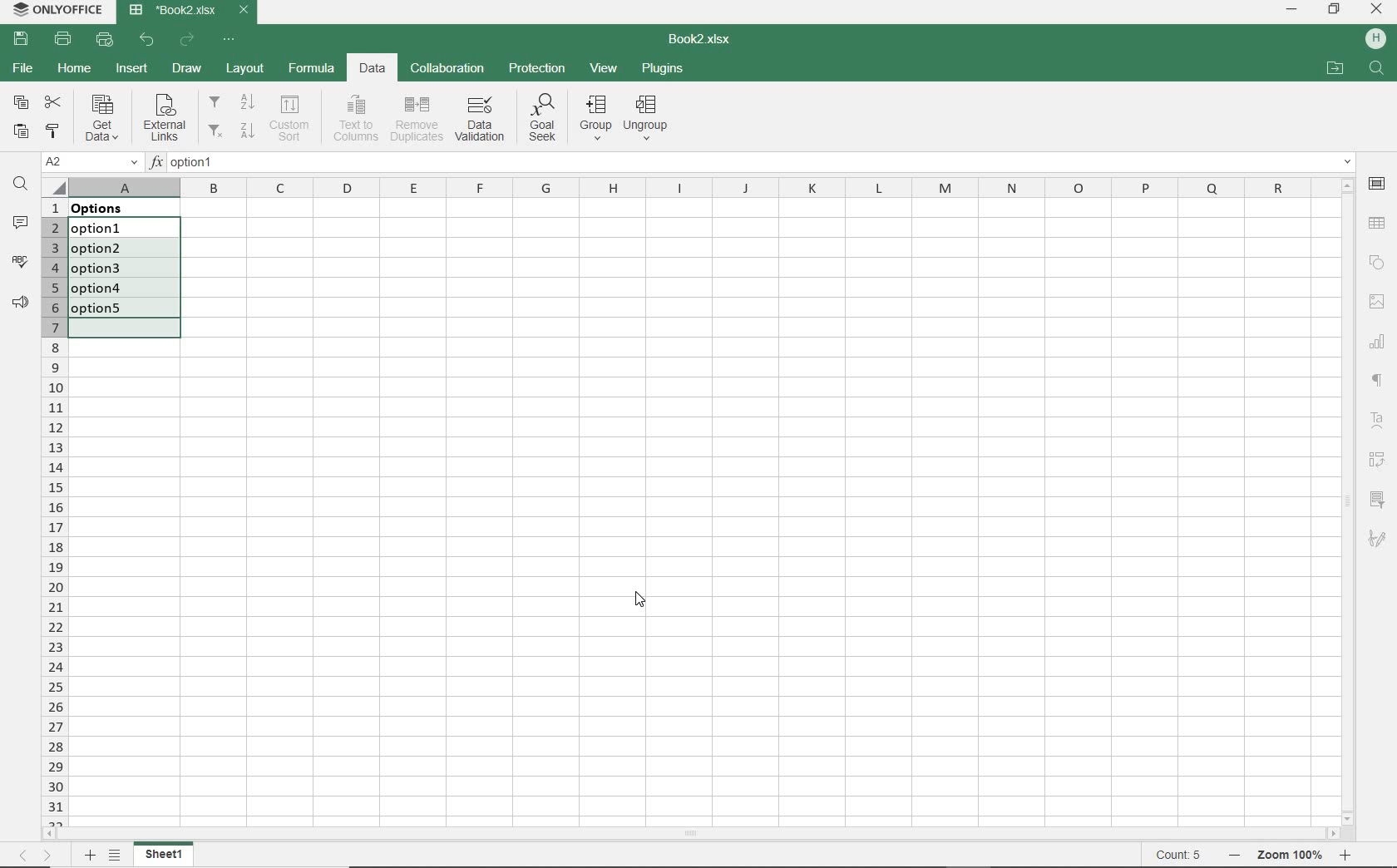 The image size is (1397, 868). I want to click on PARAGRAPH SETTINGS, so click(17, 303).